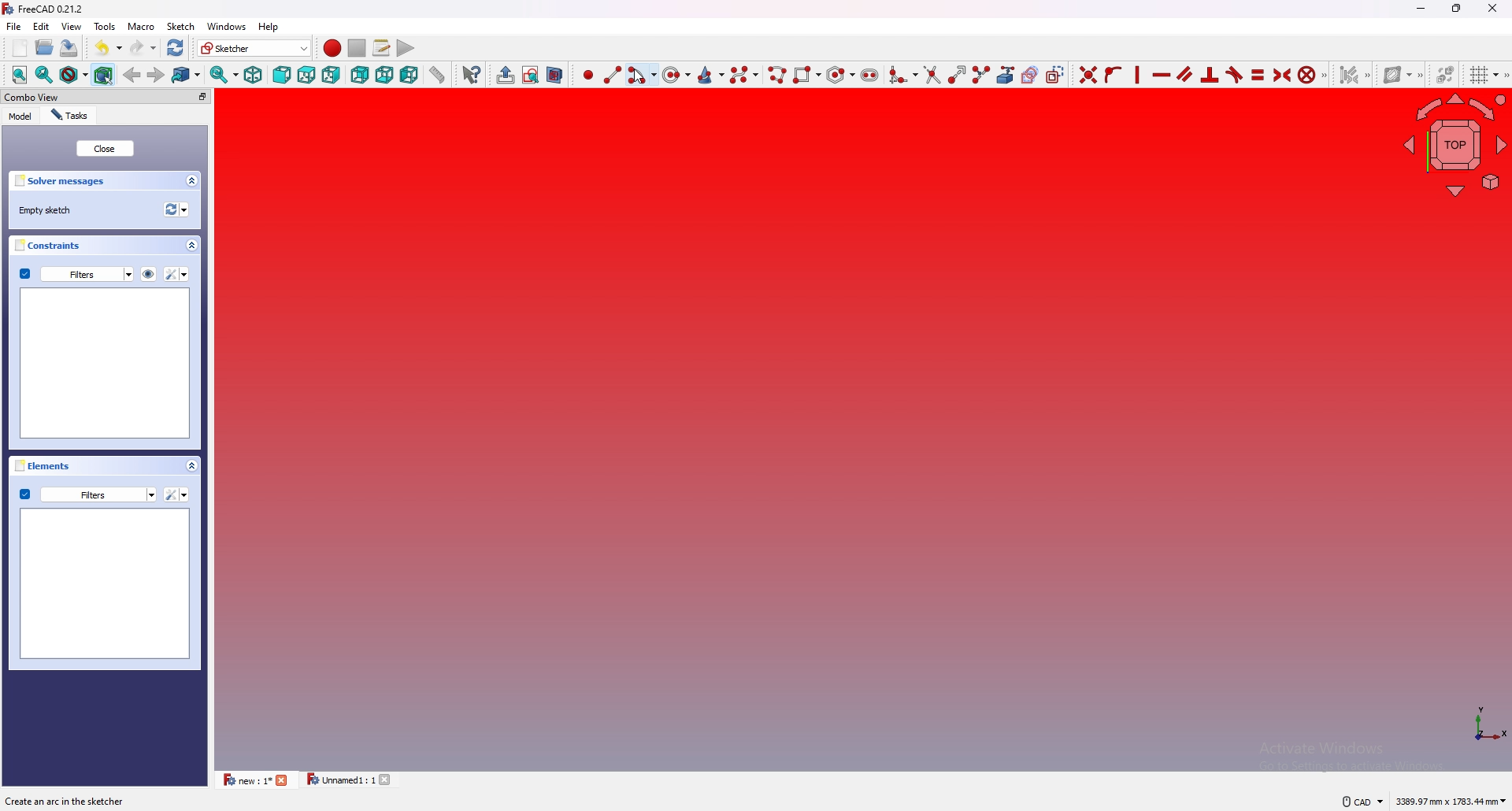 The width and height of the screenshot is (1512, 811). What do you see at coordinates (254, 48) in the screenshot?
I see `Sketcher` at bounding box center [254, 48].